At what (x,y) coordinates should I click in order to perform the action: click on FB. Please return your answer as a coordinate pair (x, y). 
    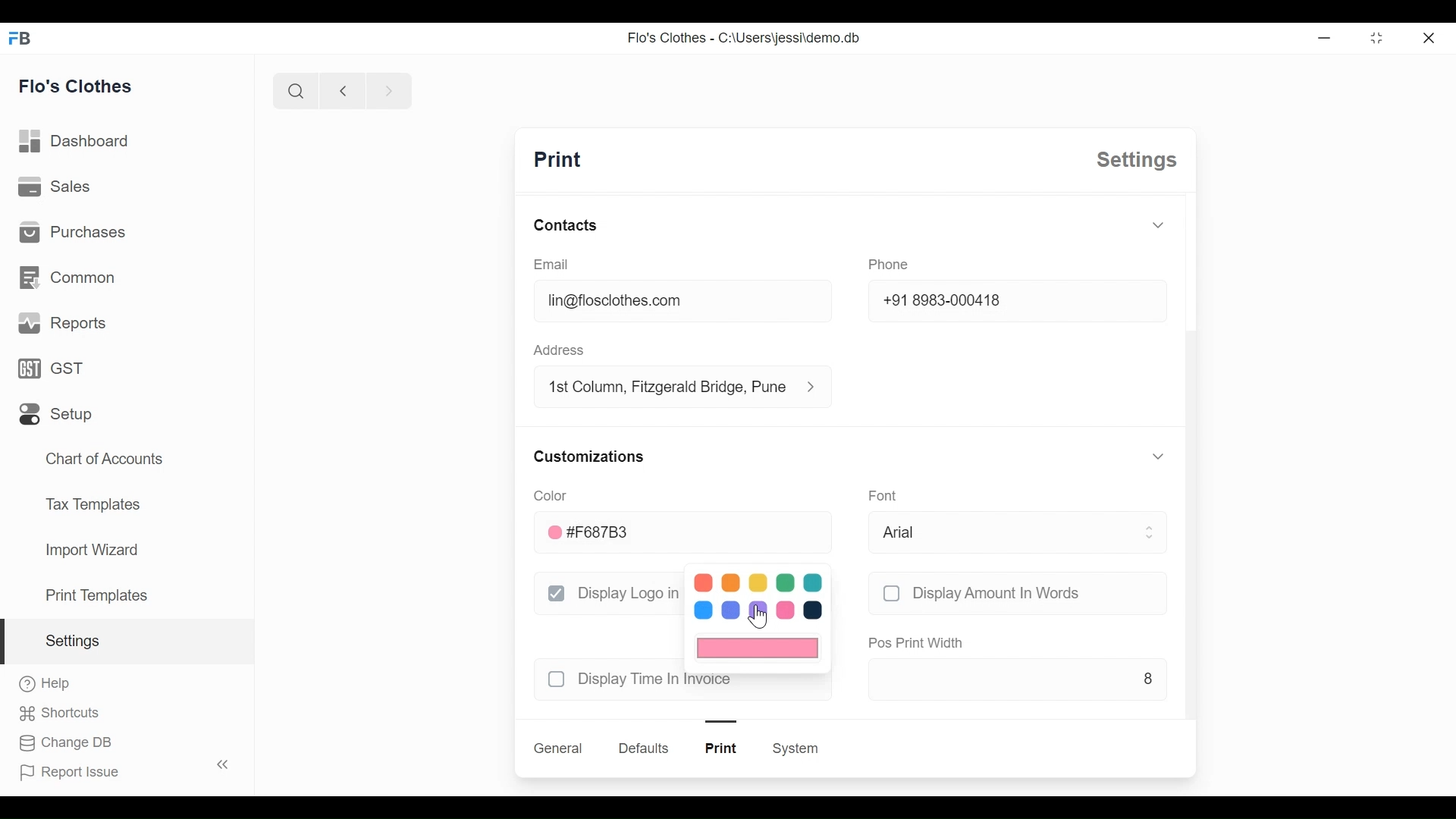
    Looking at the image, I should click on (21, 37).